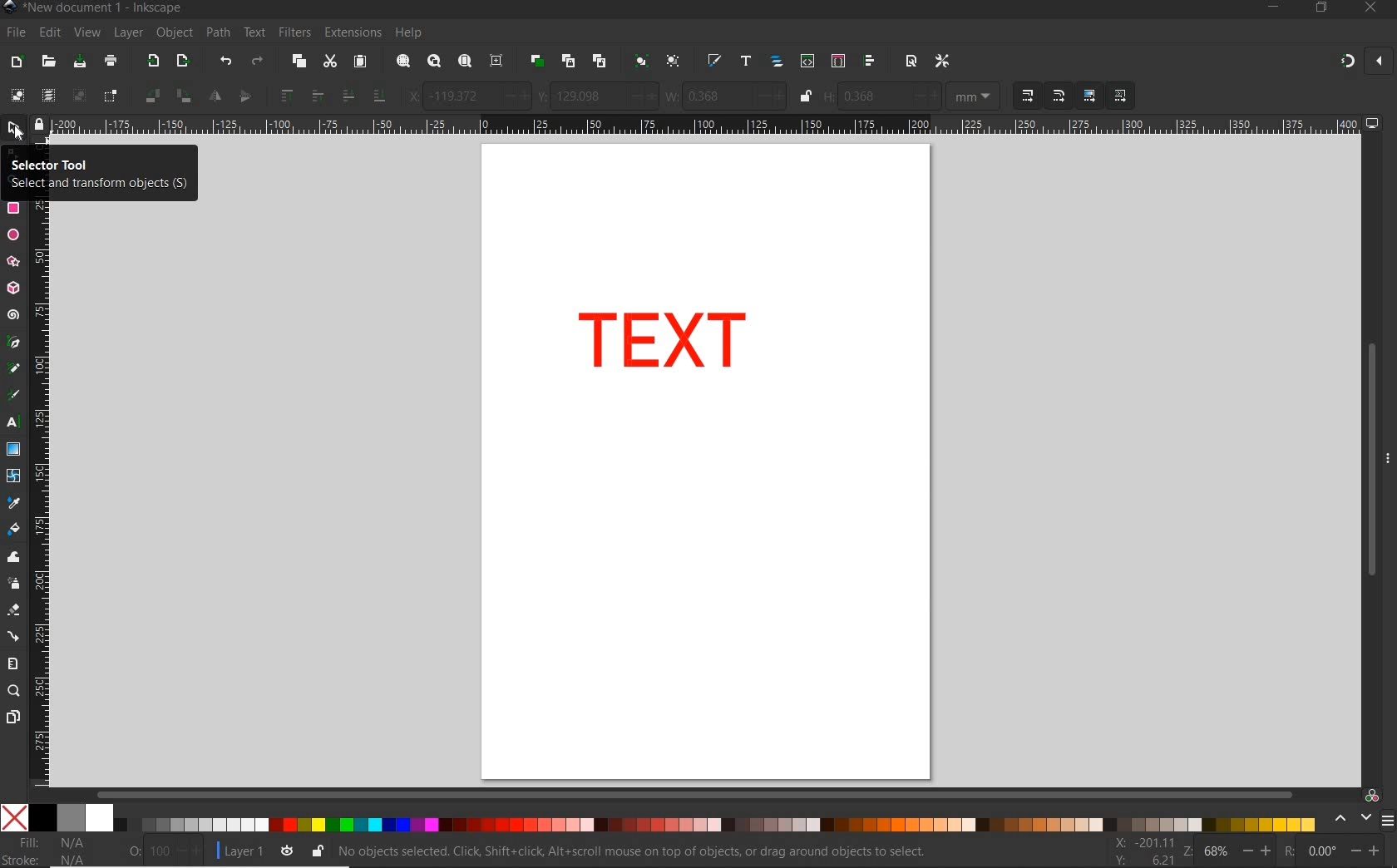 This screenshot has height=868, width=1397. Describe the element at coordinates (402, 62) in the screenshot. I see `ZOOM SELECTION` at that location.